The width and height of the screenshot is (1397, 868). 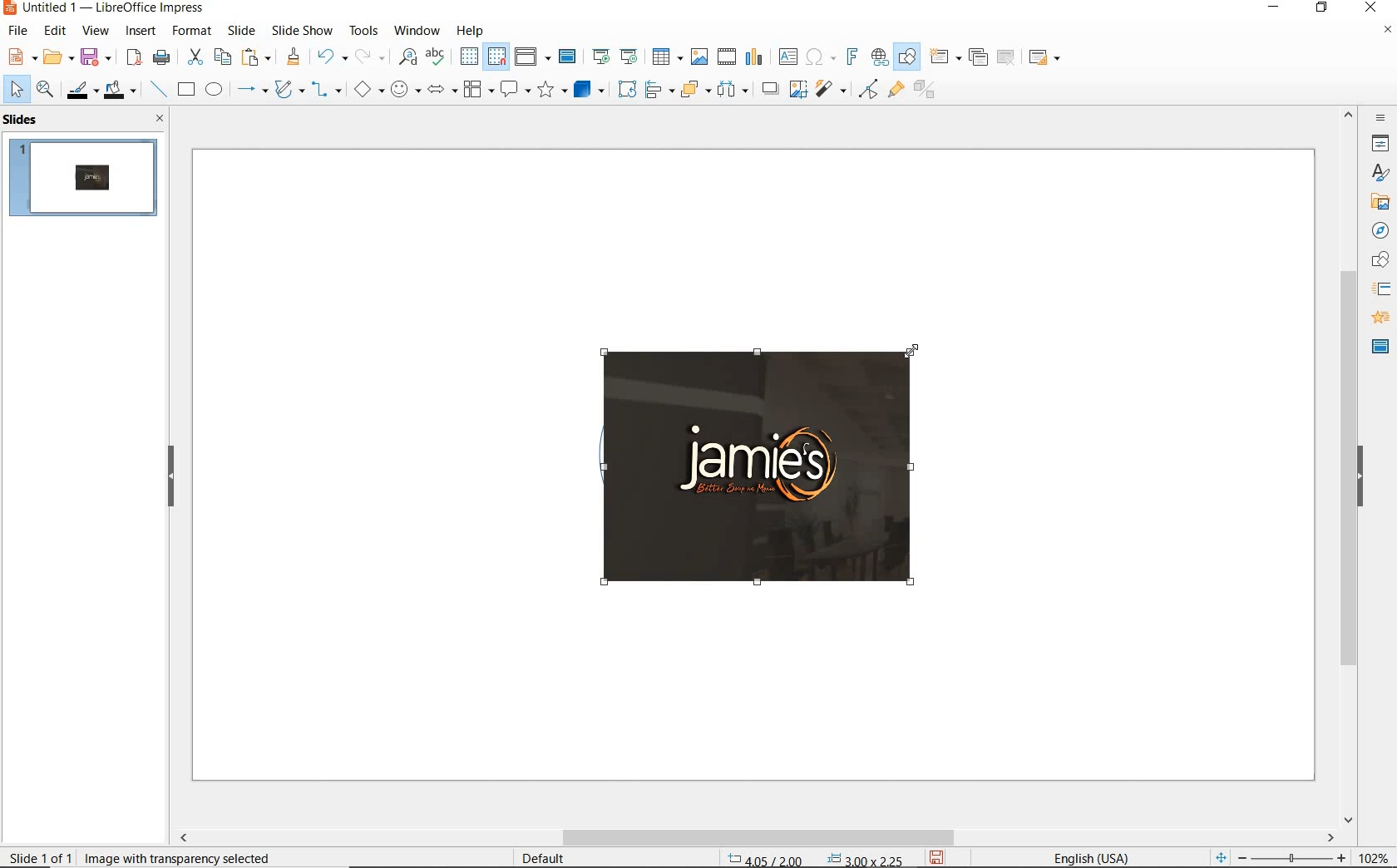 What do you see at coordinates (369, 57) in the screenshot?
I see `redo` at bounding box center [369, 57].